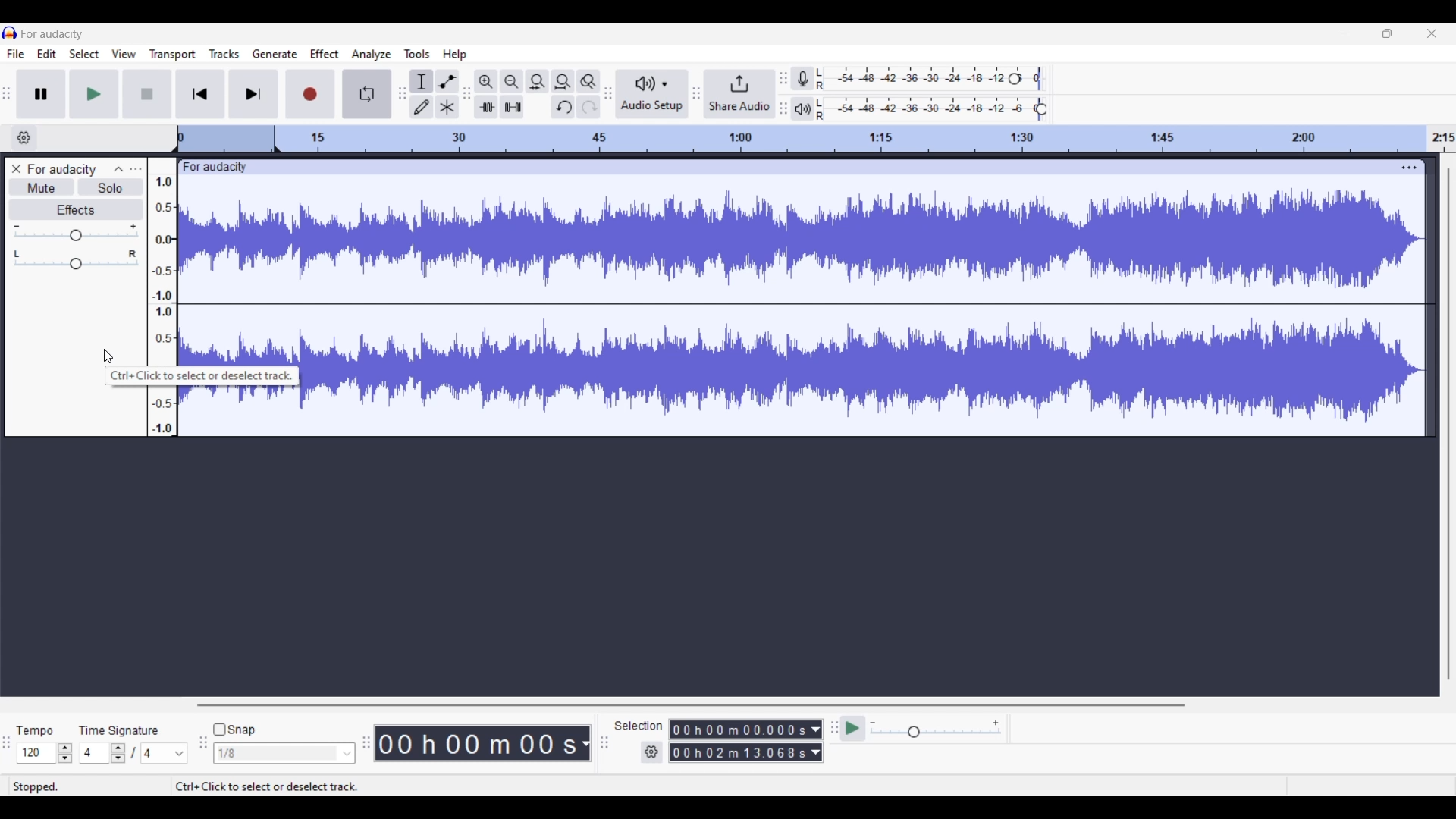 The width and height of the screenshot is (1456, 819). I want to click on Increase/Decrease time signature, so click(118, 753).